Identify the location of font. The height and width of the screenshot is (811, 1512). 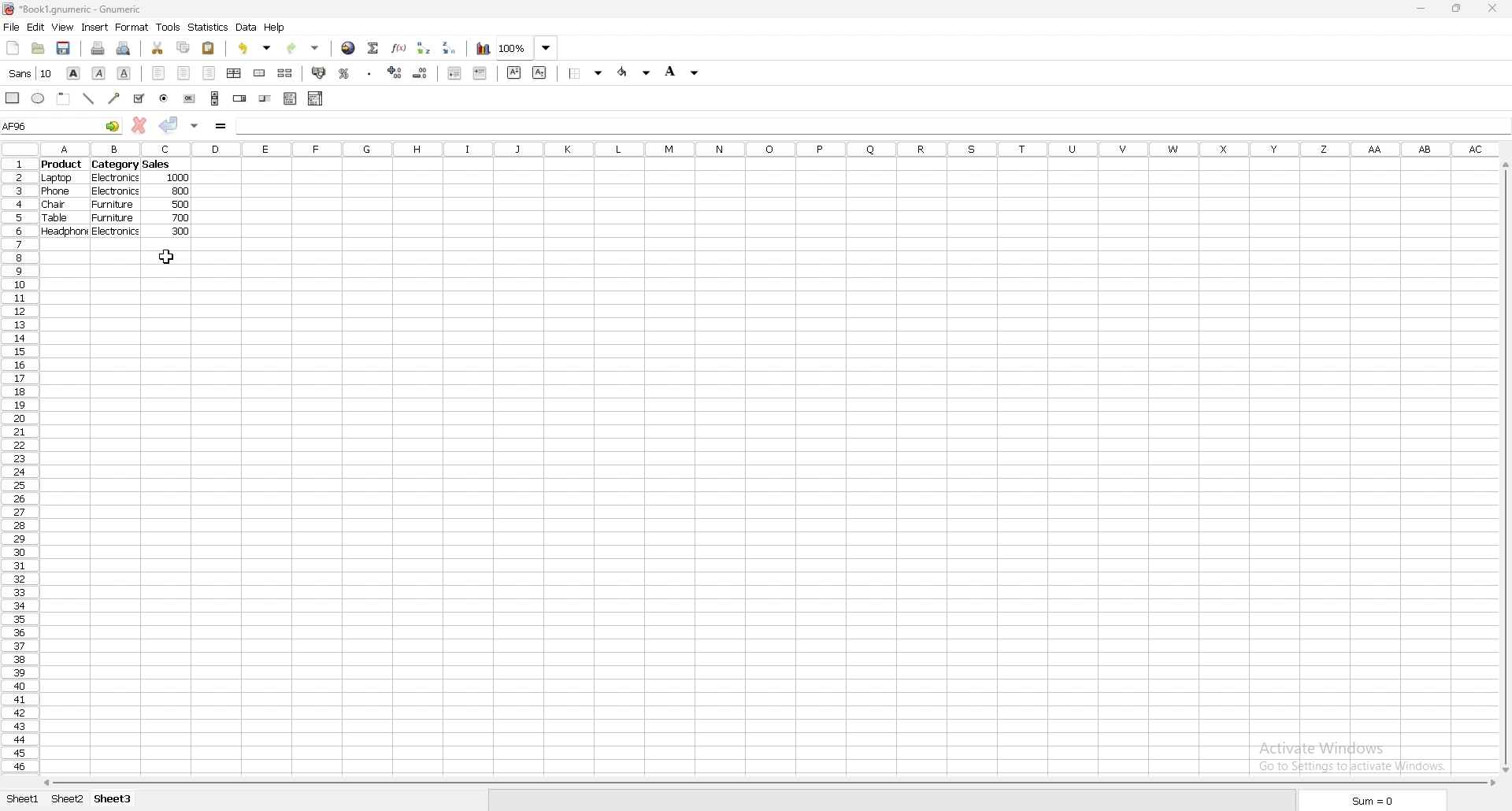
(31, 73).